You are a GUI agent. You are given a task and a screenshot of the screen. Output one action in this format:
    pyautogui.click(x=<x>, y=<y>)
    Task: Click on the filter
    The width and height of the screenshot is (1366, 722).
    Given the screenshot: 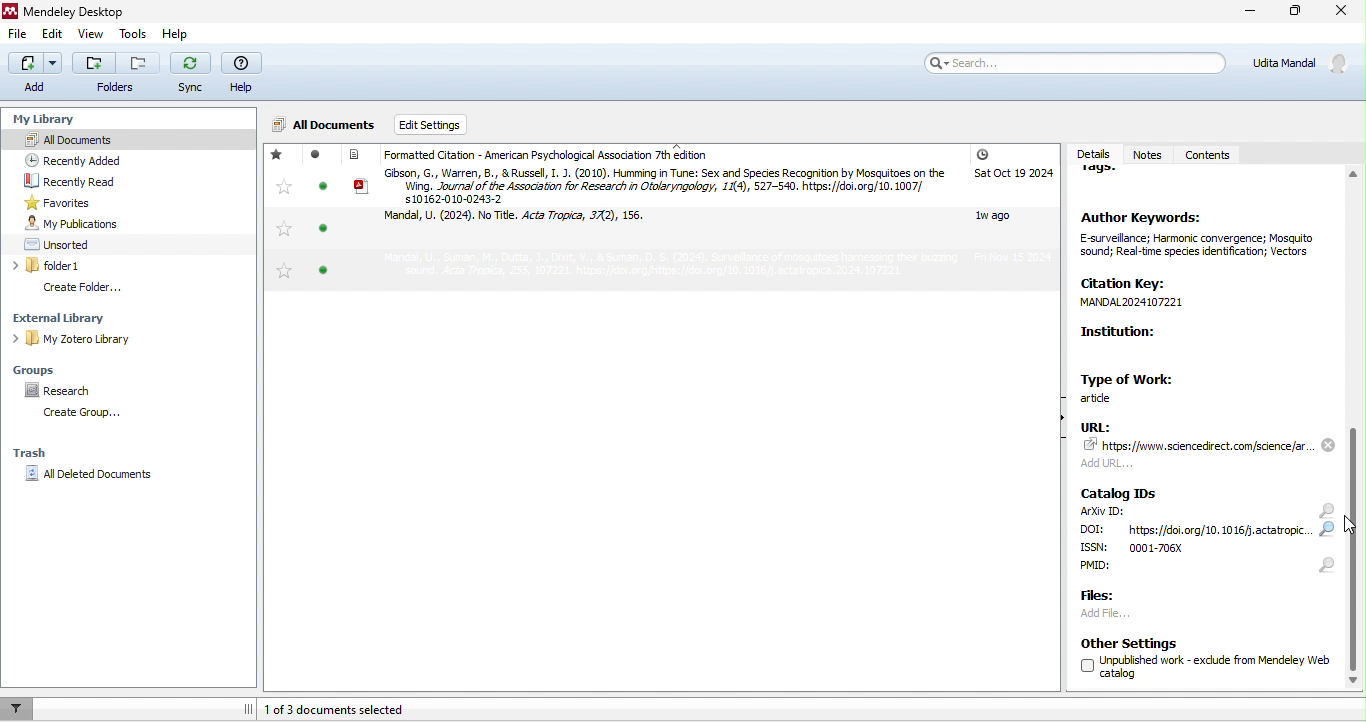 What is the action you would take?
    pyautogui.click(x=18, y=708)
    